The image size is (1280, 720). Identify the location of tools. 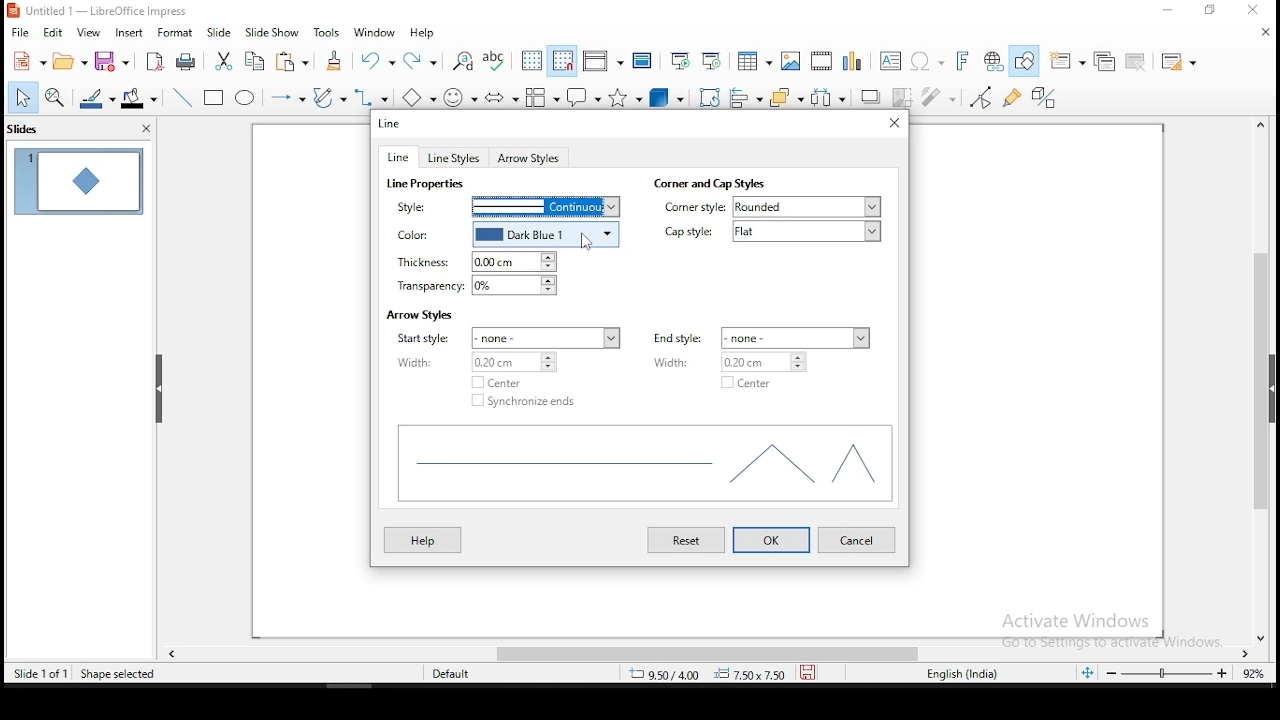
(328, 32).